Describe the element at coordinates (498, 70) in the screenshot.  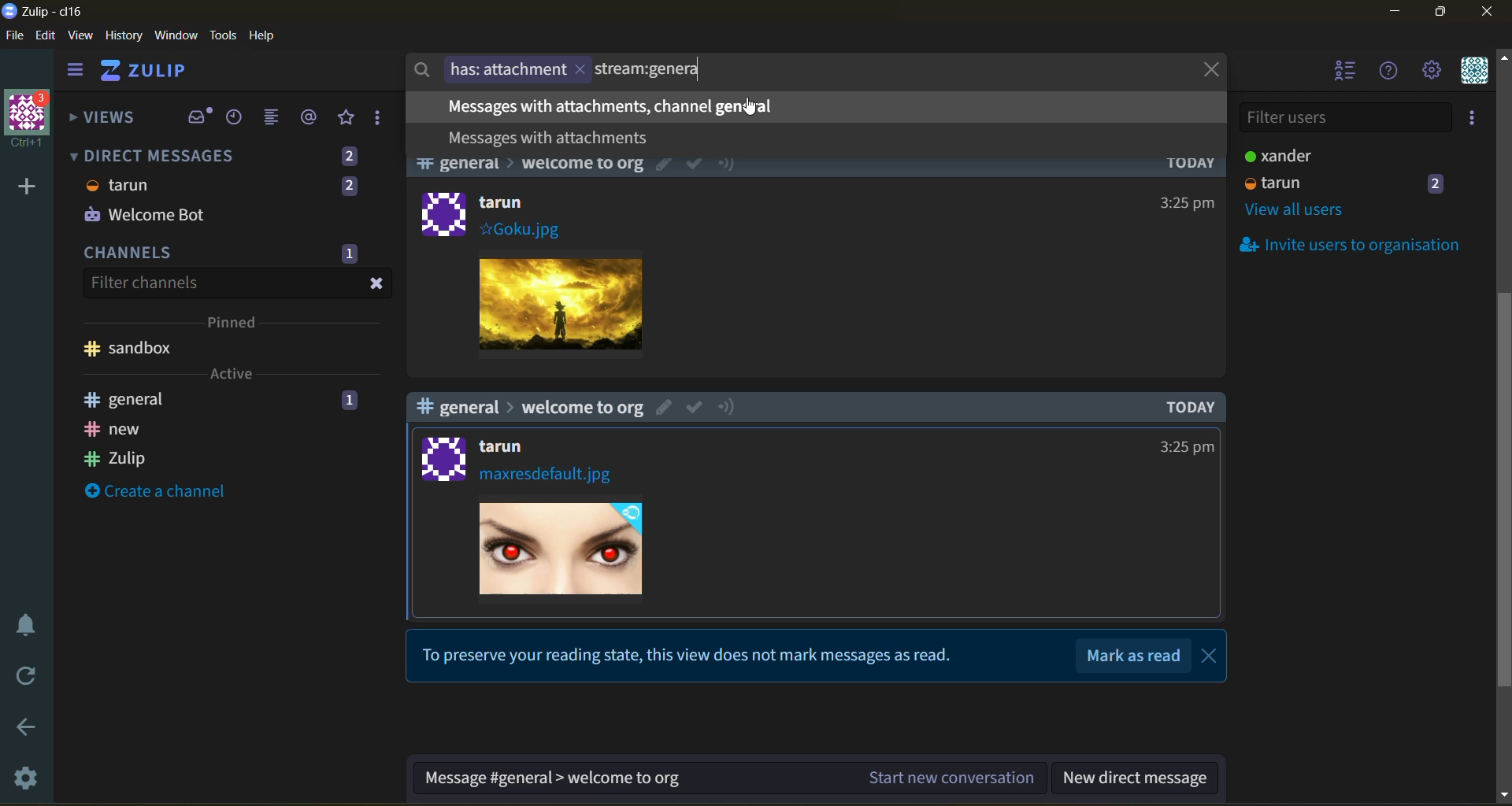
I see `has: attachment` at that location.